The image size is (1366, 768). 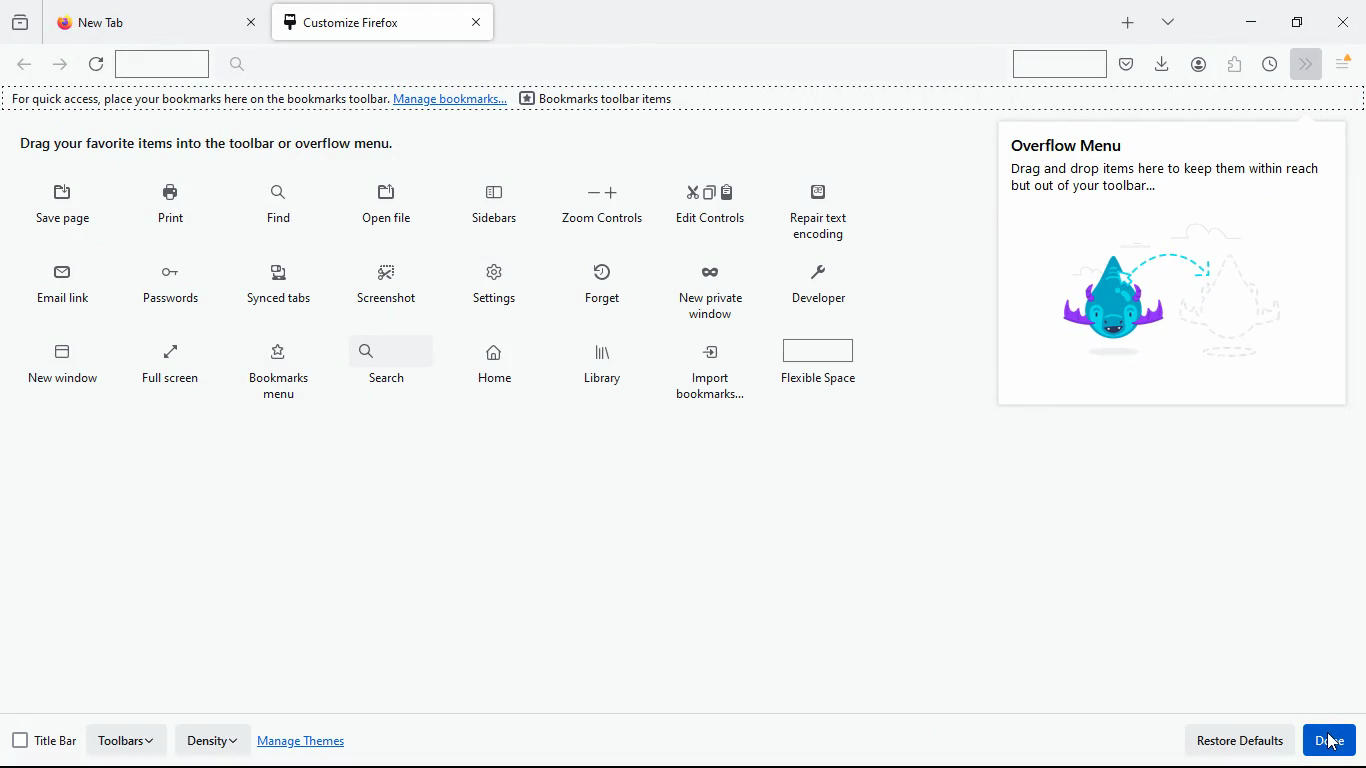 What do you see at coordinates (1127, 64) in the screenshot?
I see `pocket` at bounding box center [1127, 64].